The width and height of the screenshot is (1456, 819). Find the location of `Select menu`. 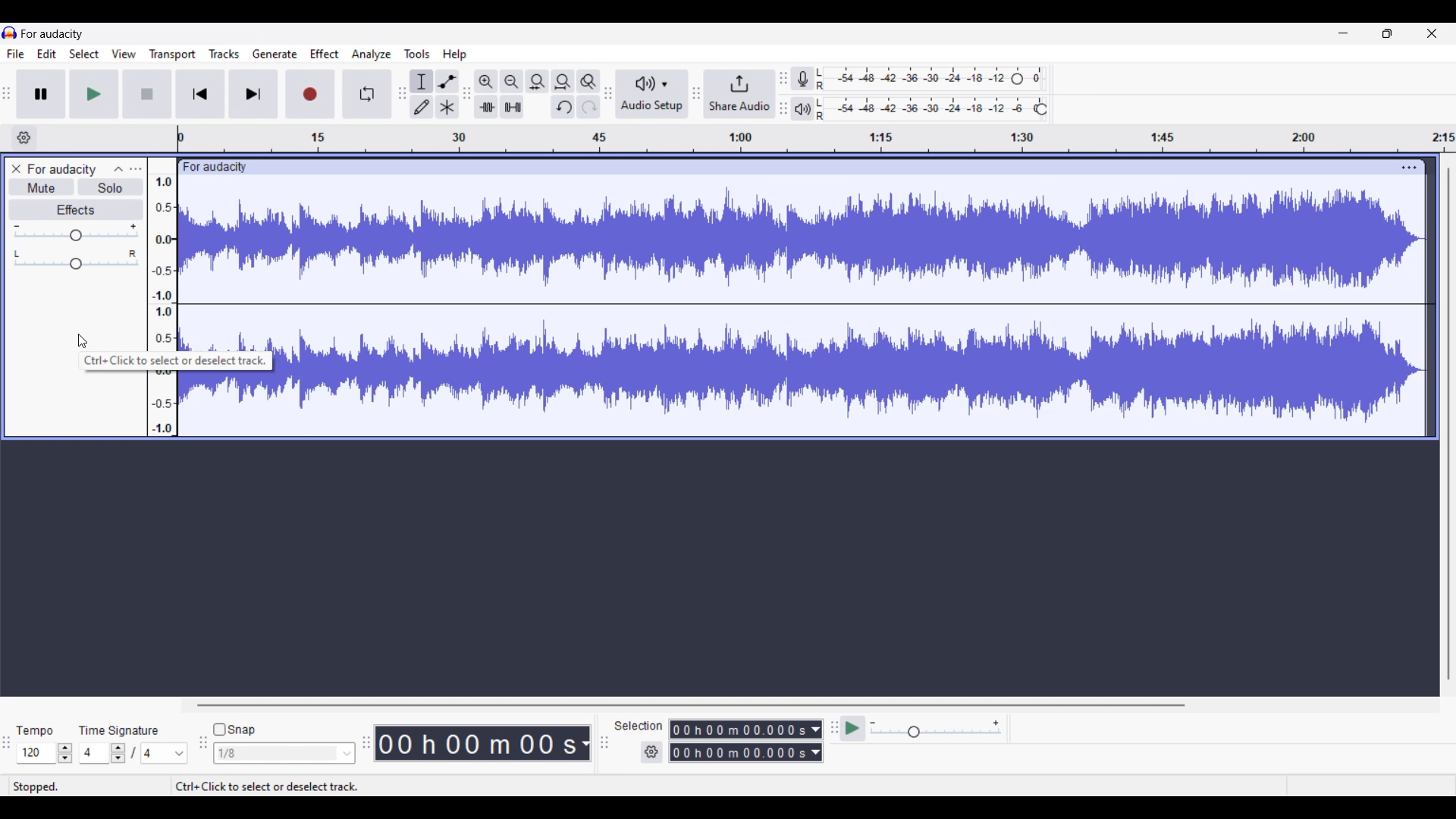

Select menu is located at coordinates (84, 54).